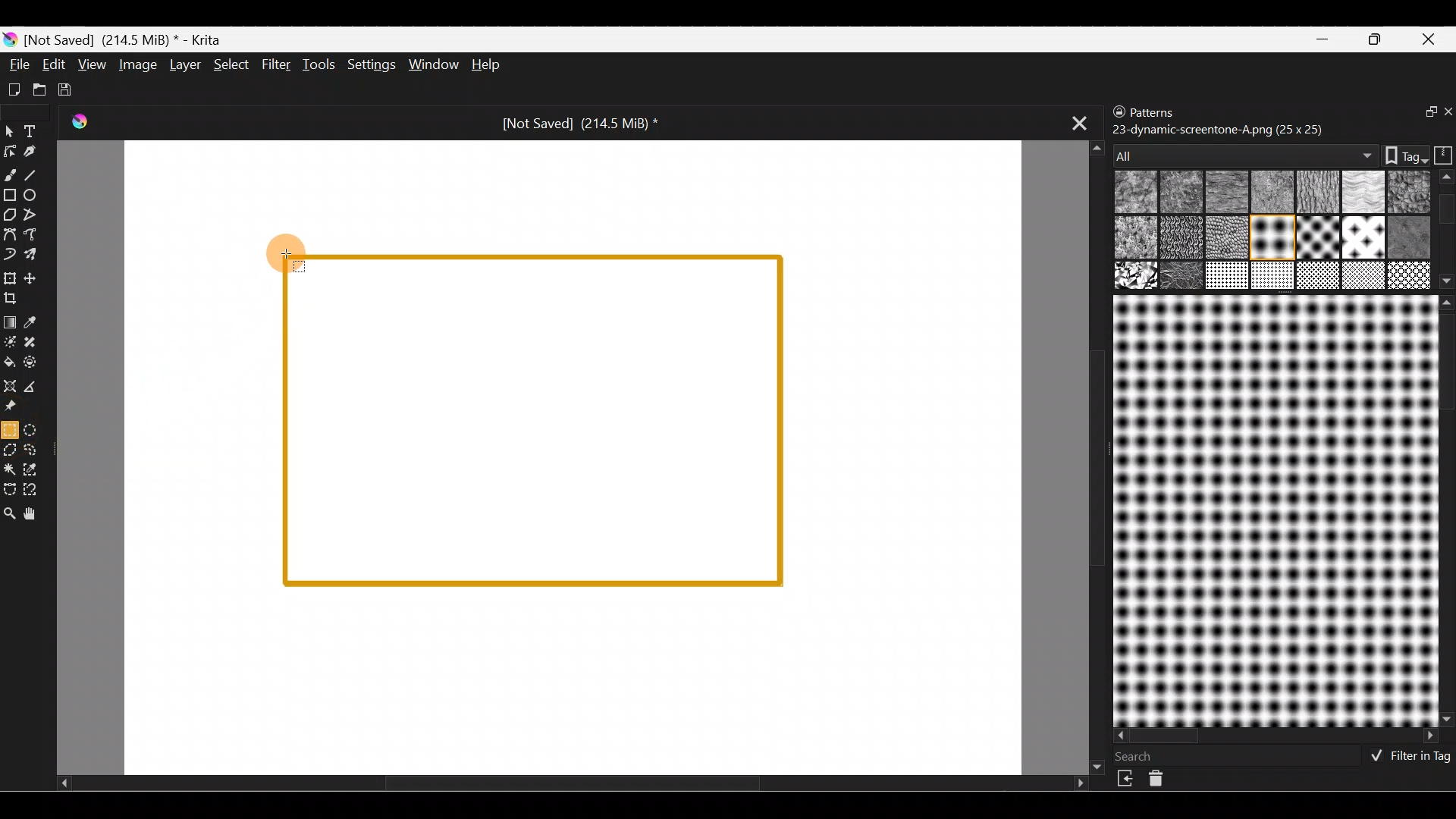  I want to click on 01 canvas.png, so click(1131, 193).